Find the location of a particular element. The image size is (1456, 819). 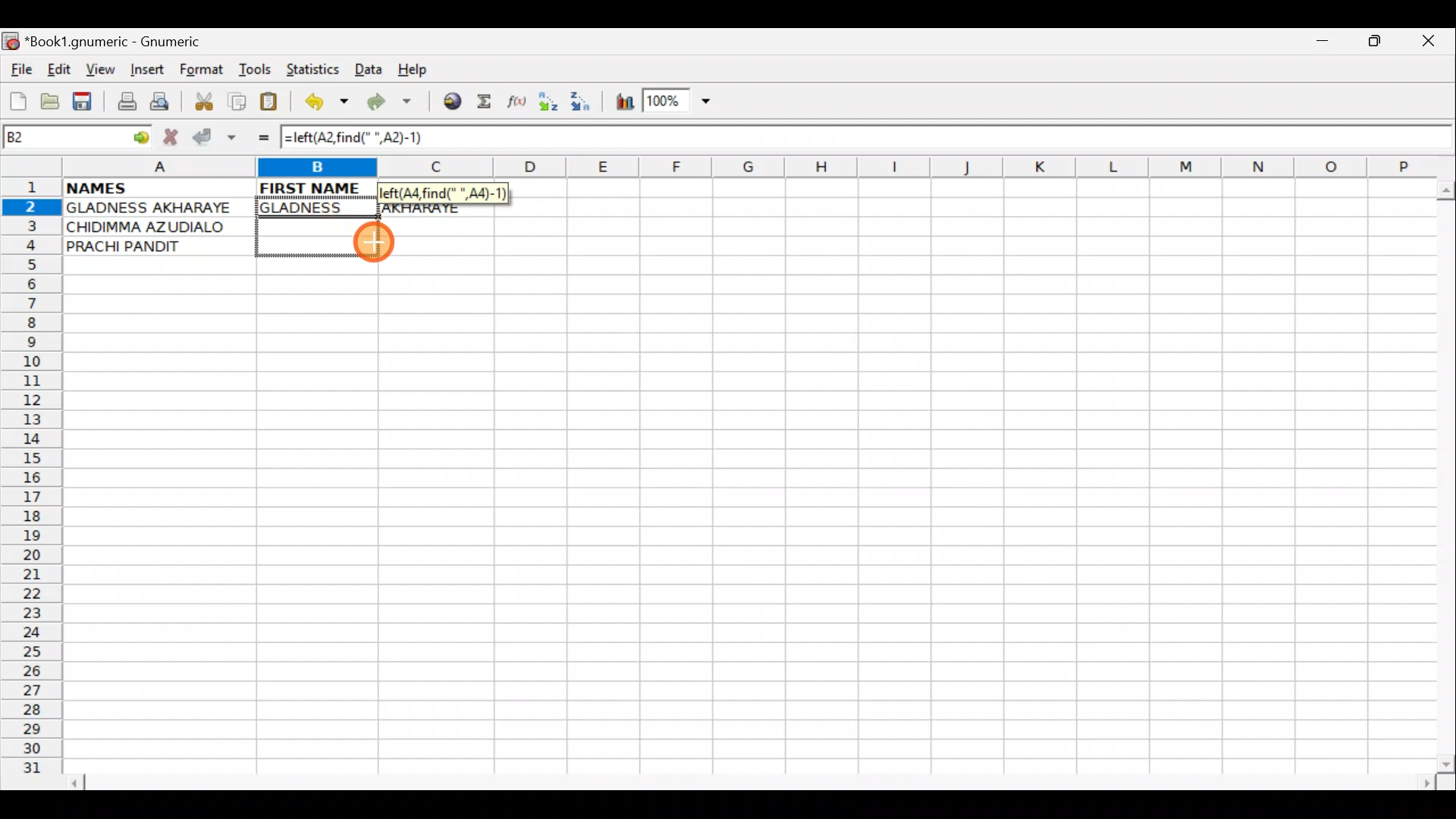

Cancel change is located at coordinates (174, 134).